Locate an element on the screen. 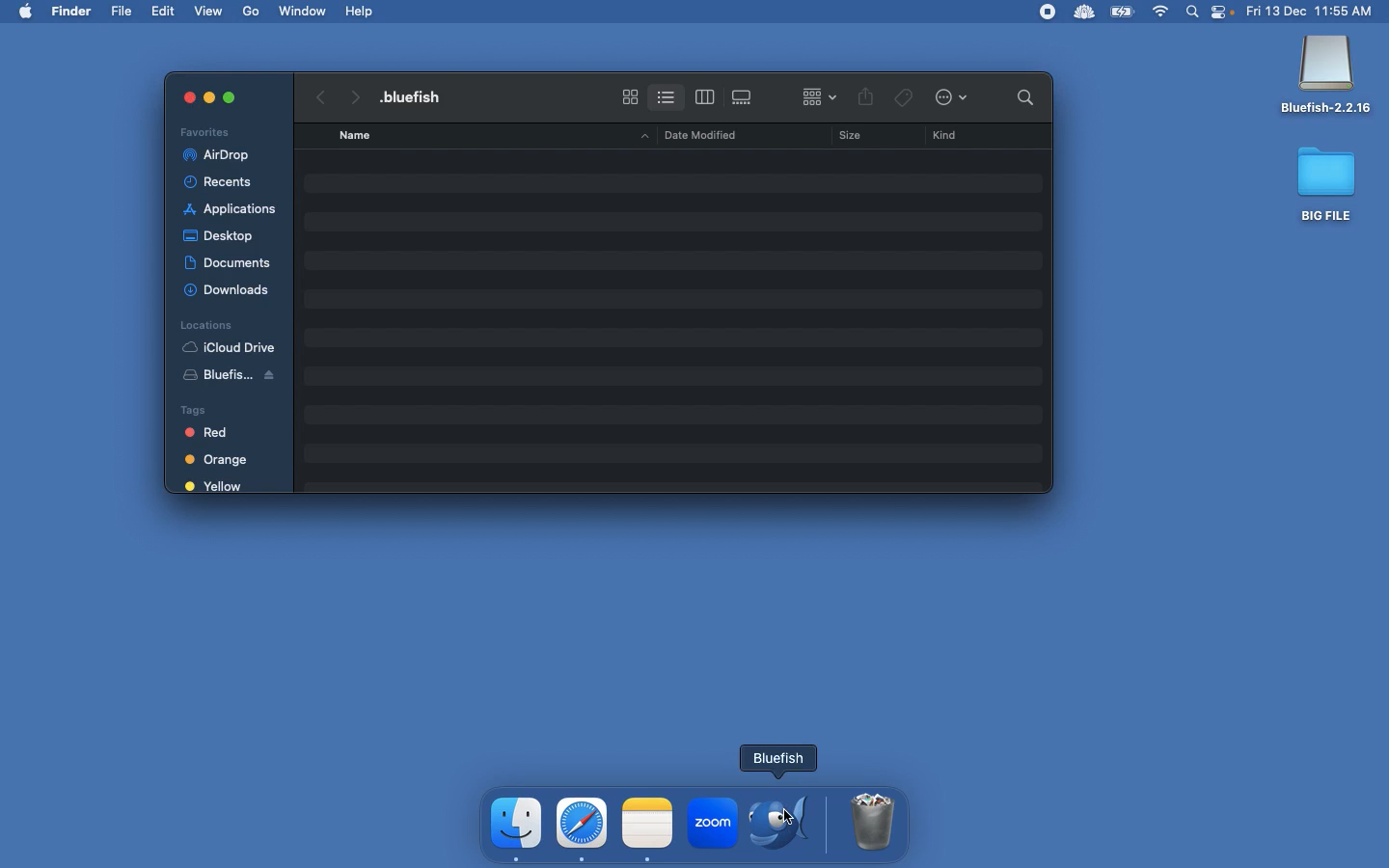 The width and height of the screenshot is (1389, 868). Icon View is located at coordinates (630, 96).